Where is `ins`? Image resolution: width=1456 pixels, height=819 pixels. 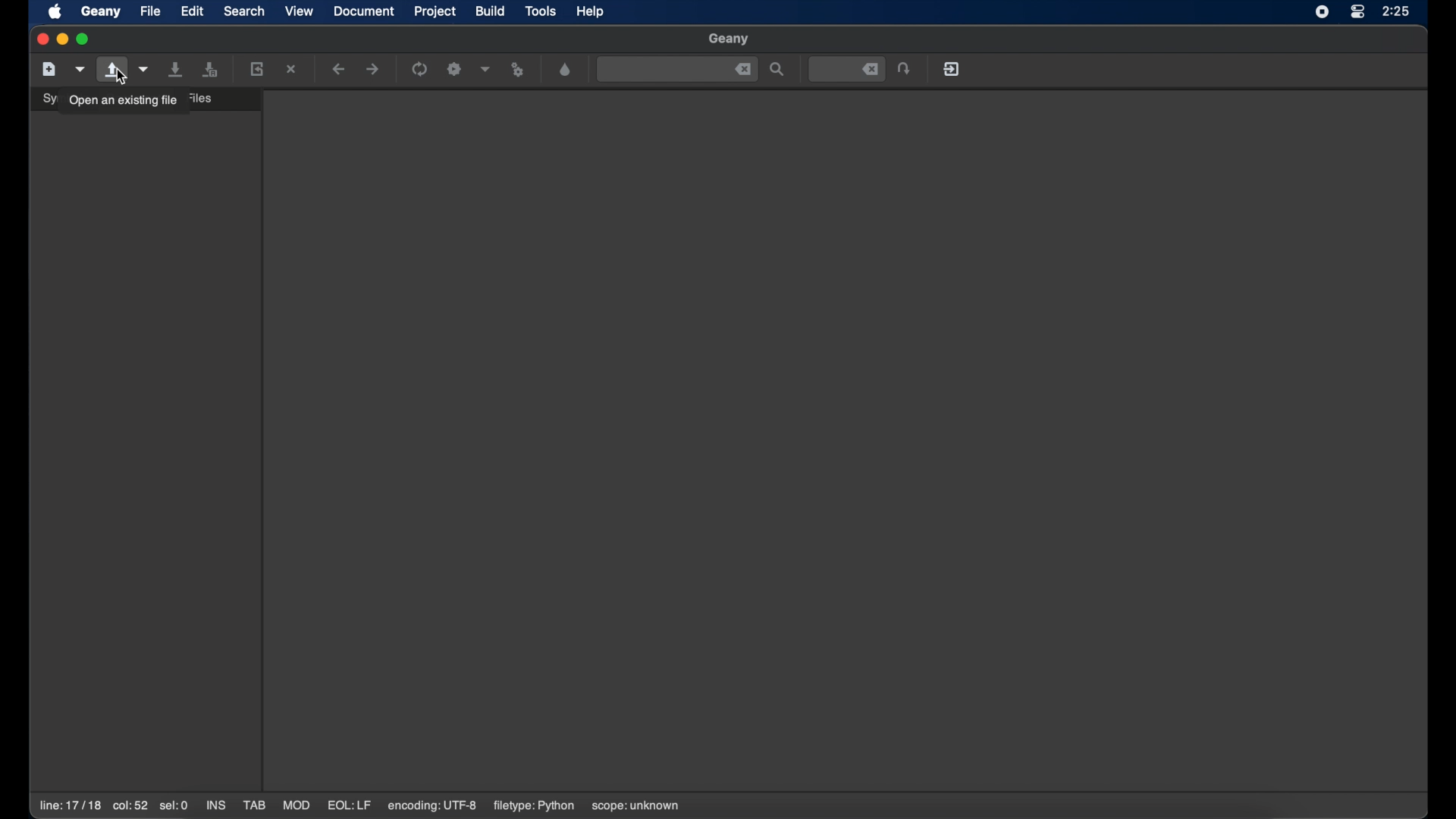 ins is located at coordinates (217, 805).